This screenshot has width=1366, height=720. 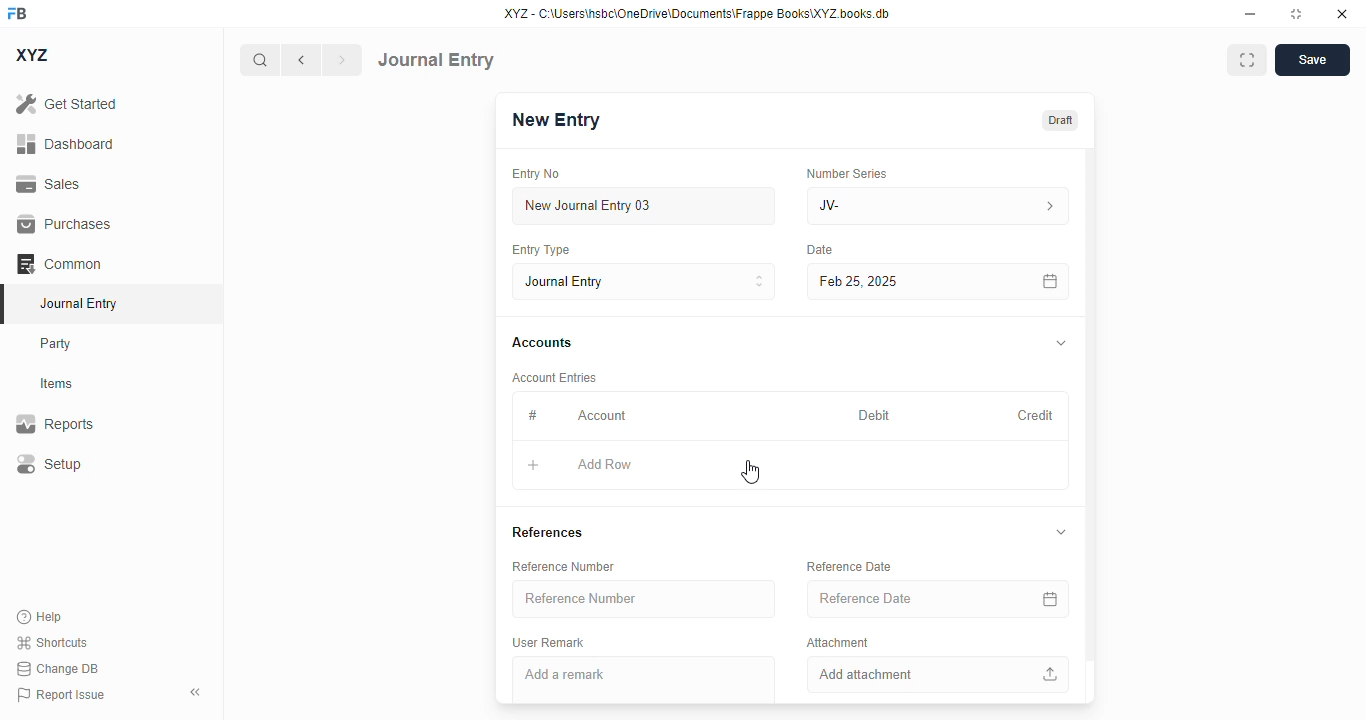 I want to click on XYZ, so click(x=33, y=55).